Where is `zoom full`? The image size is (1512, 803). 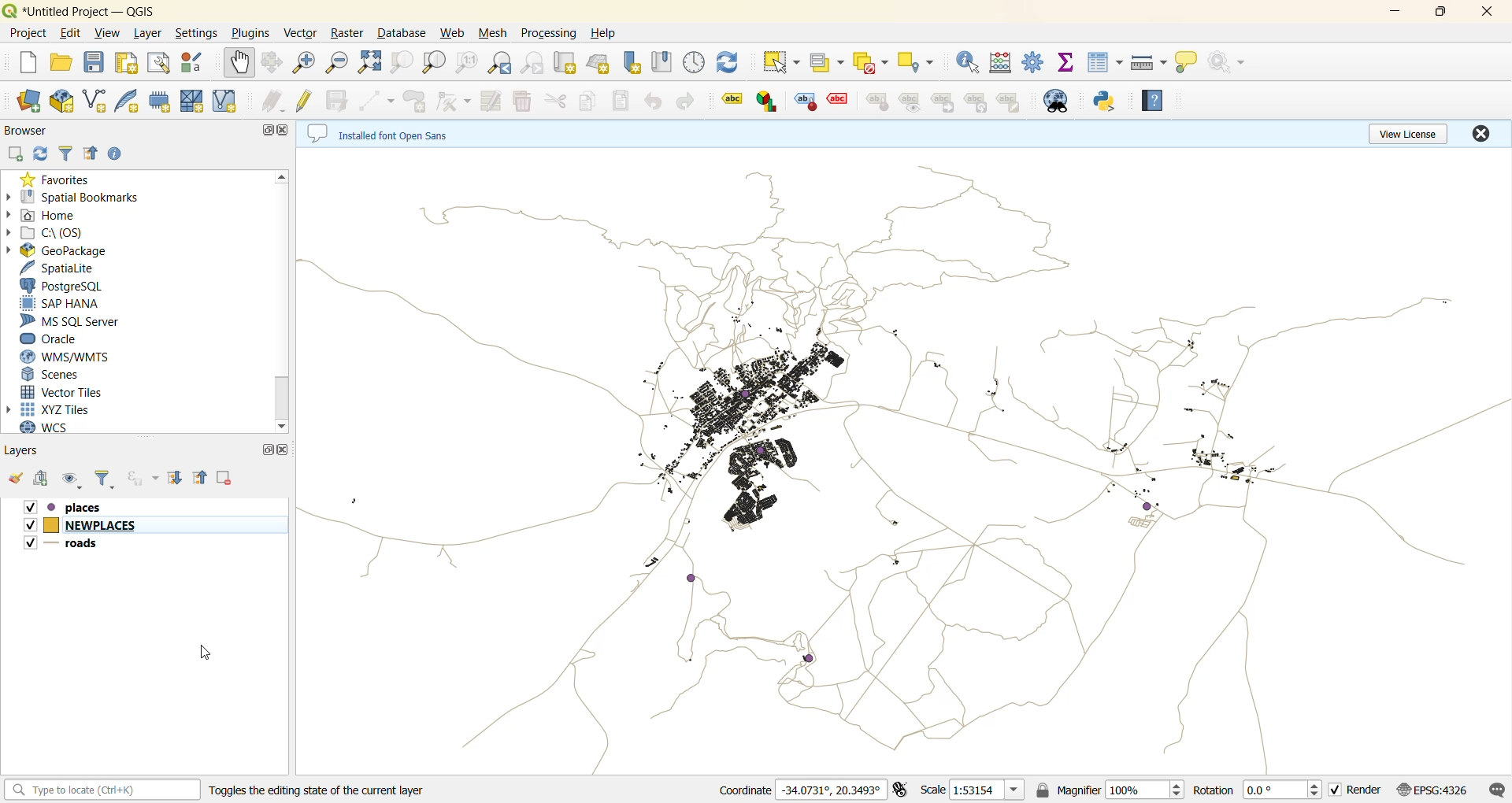 zoom full is located at coordinates (372, 62).